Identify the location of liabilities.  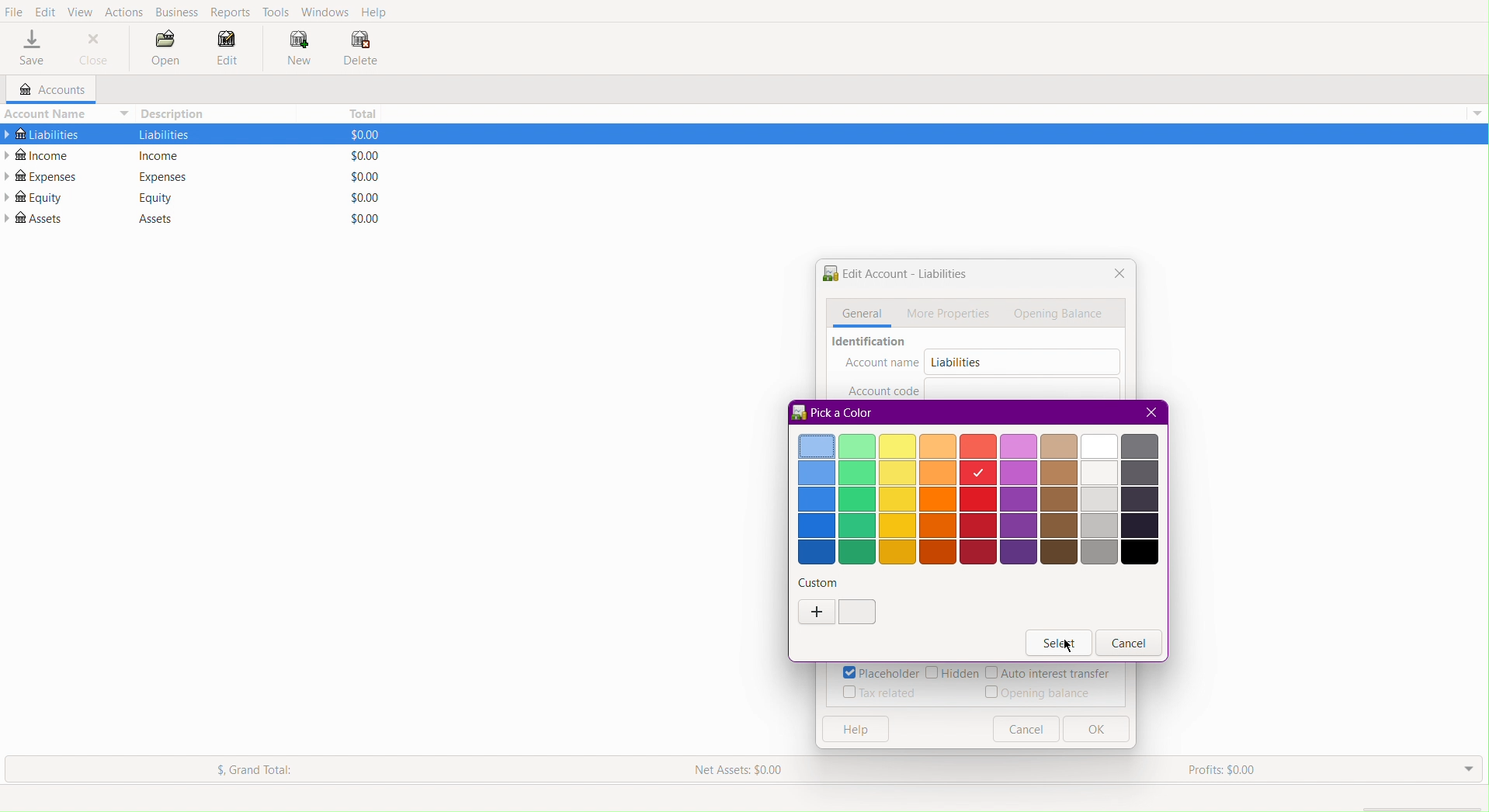
(164, 134).